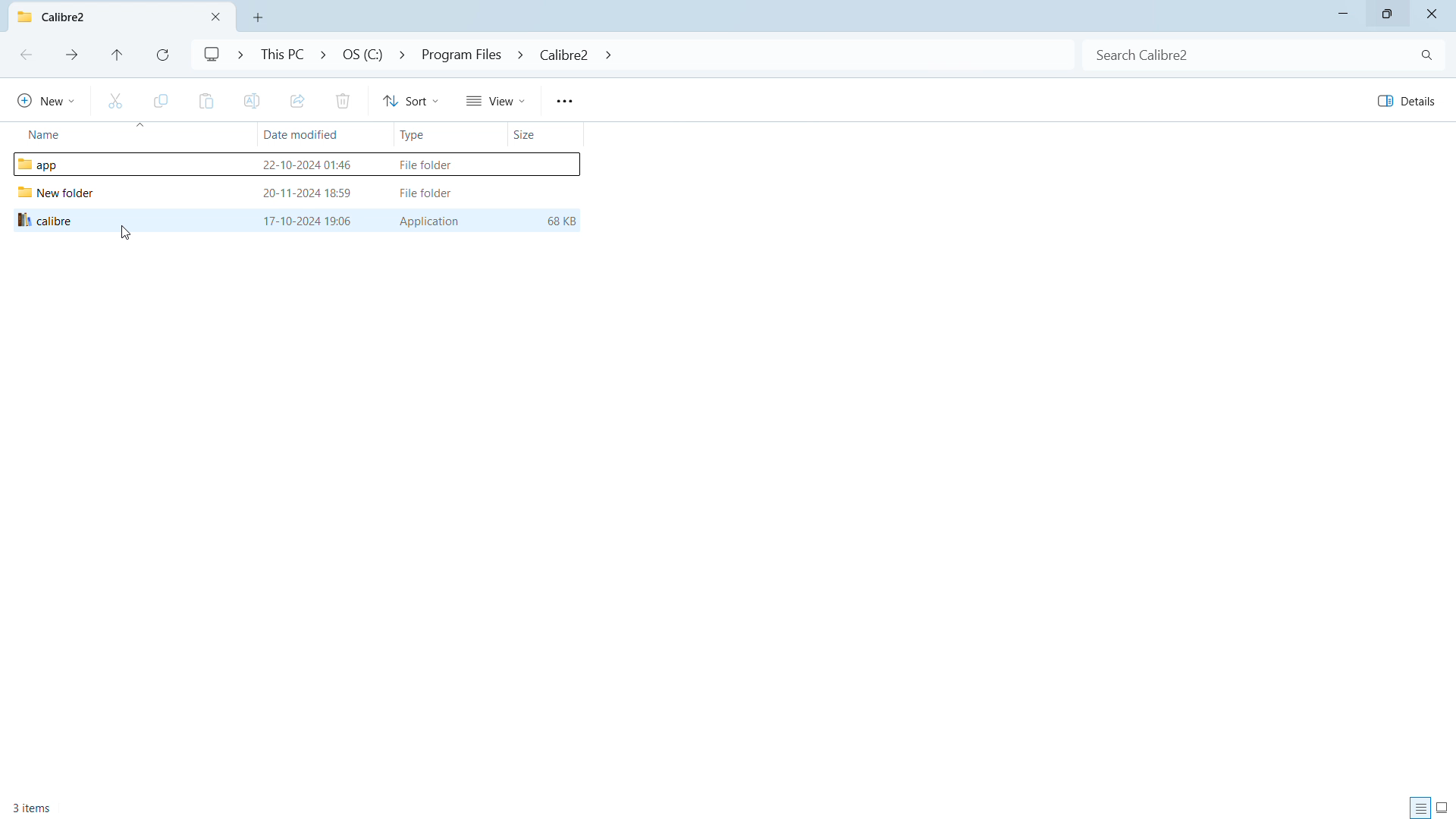 Image resolution: width=1456 pixels, height=819 pixels. I want to click on new, so click(45, 101).